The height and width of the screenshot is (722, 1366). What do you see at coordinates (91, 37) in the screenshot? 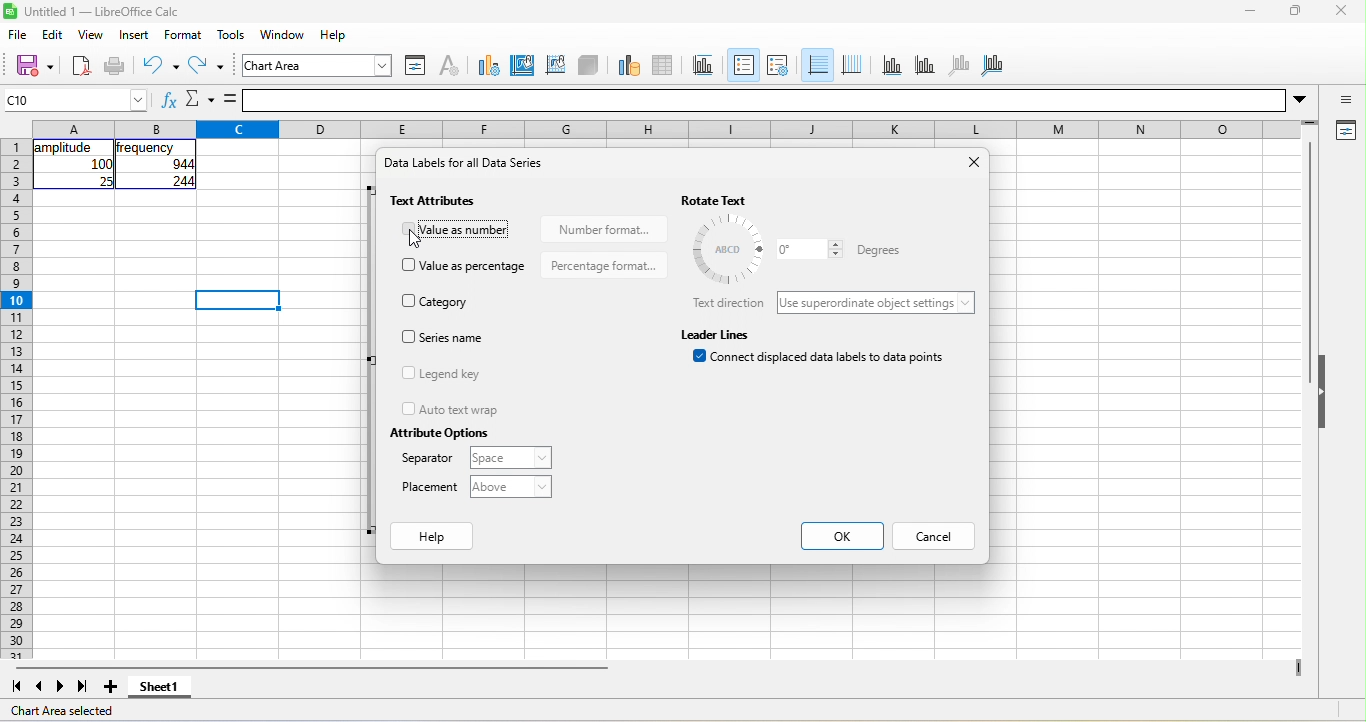
I see `view` at bounding box center [91, 37].